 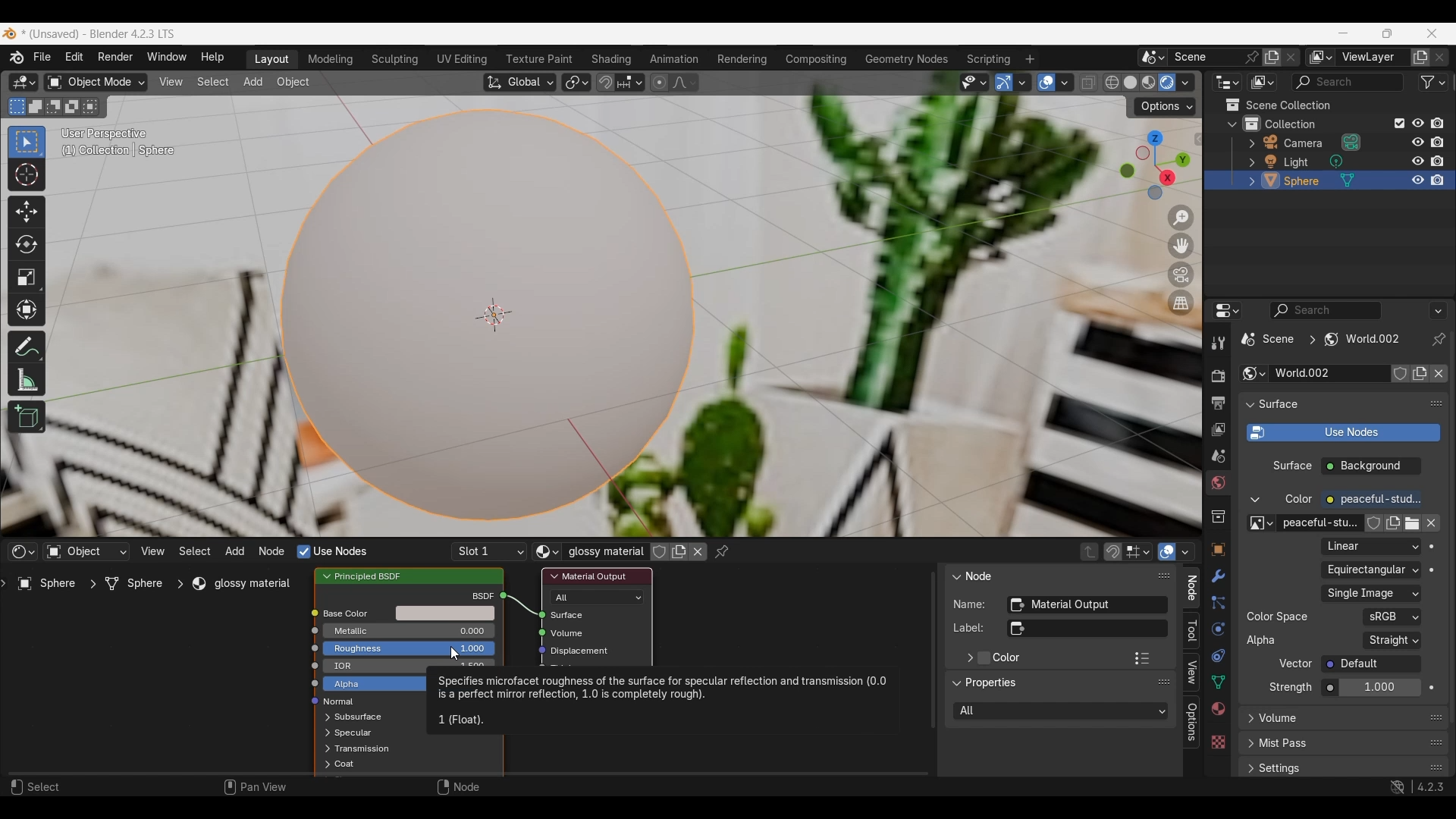 What do you see at coordinates (1440, 58) in the screenshot?
I see `Remove new layer` at bounding box center [1440, 58].